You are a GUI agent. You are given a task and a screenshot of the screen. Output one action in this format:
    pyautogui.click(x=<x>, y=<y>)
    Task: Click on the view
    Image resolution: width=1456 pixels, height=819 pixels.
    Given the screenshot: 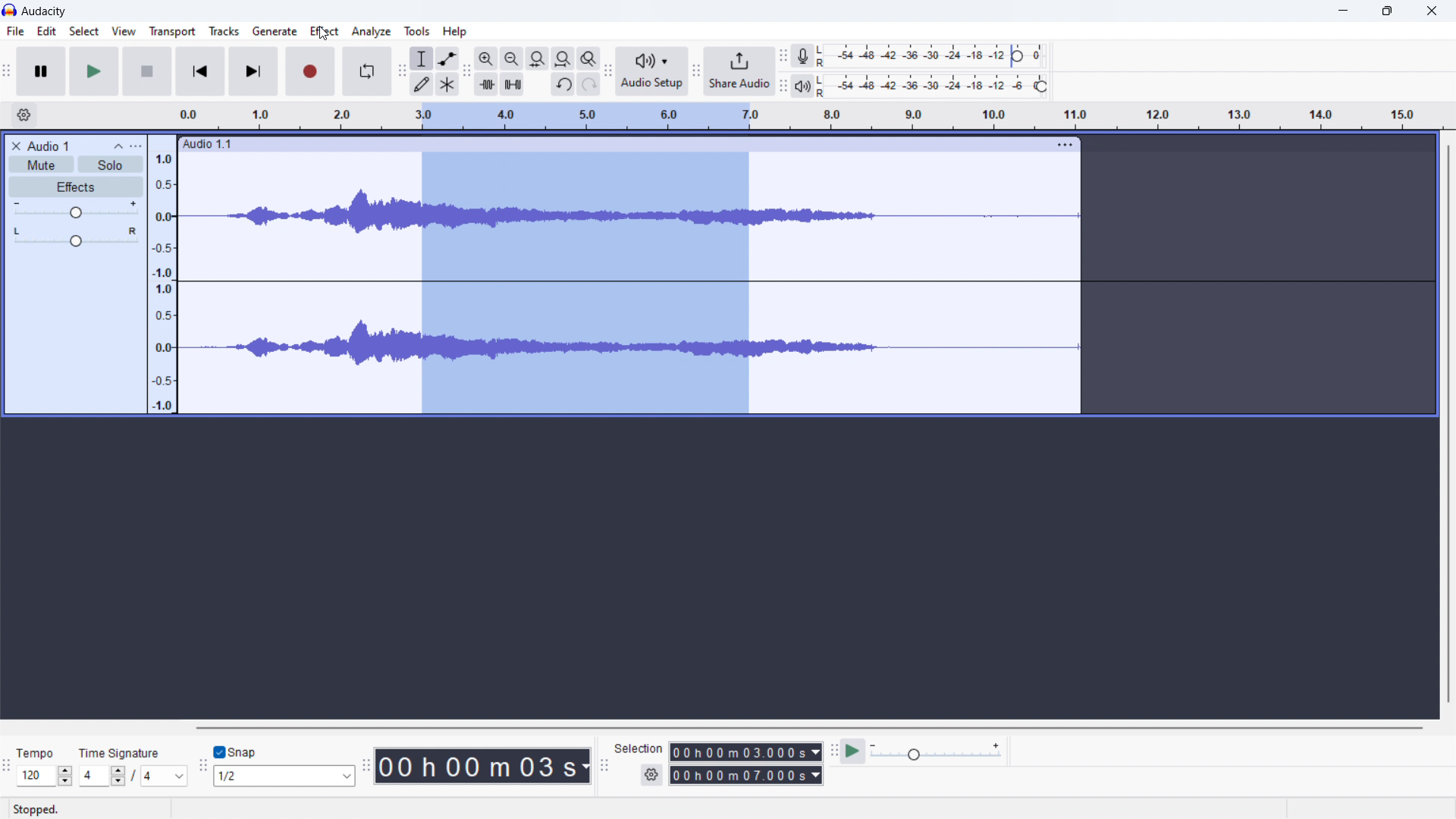 What is the action you would take?
    pyautogui.click(x=124, y=31)
    